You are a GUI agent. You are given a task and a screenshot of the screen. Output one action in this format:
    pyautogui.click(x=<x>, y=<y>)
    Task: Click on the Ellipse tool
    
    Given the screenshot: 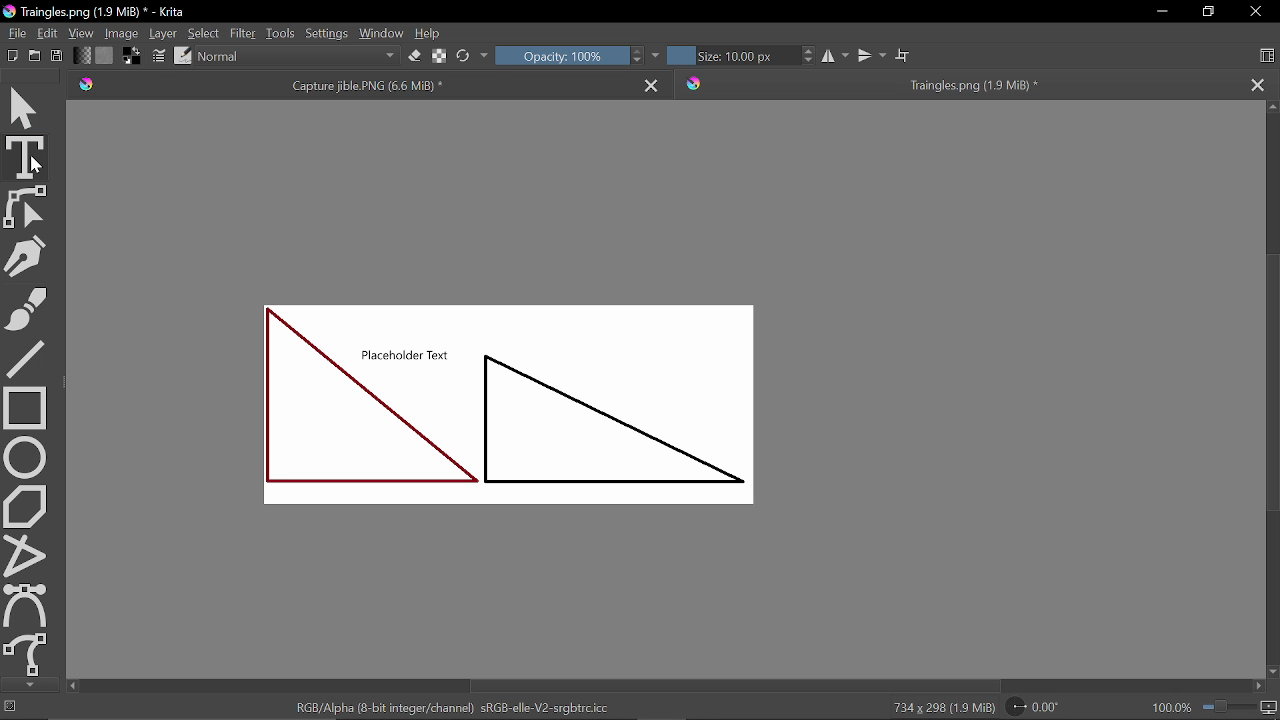 What is the action you would take?
    pyautogui.click(x=28, y=456)
    